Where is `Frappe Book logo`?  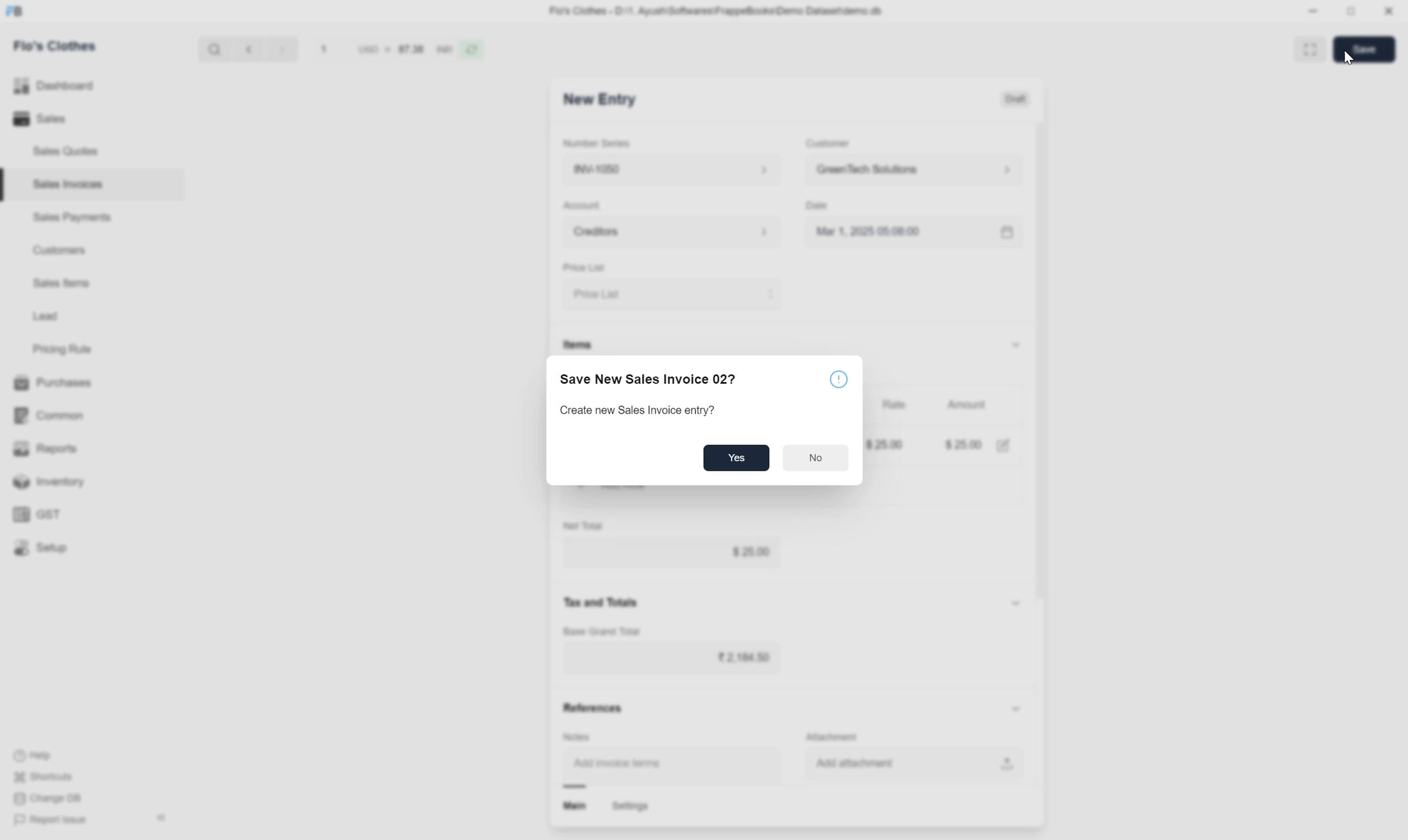
Frappe Book logo is located at coordinates (18, 12).